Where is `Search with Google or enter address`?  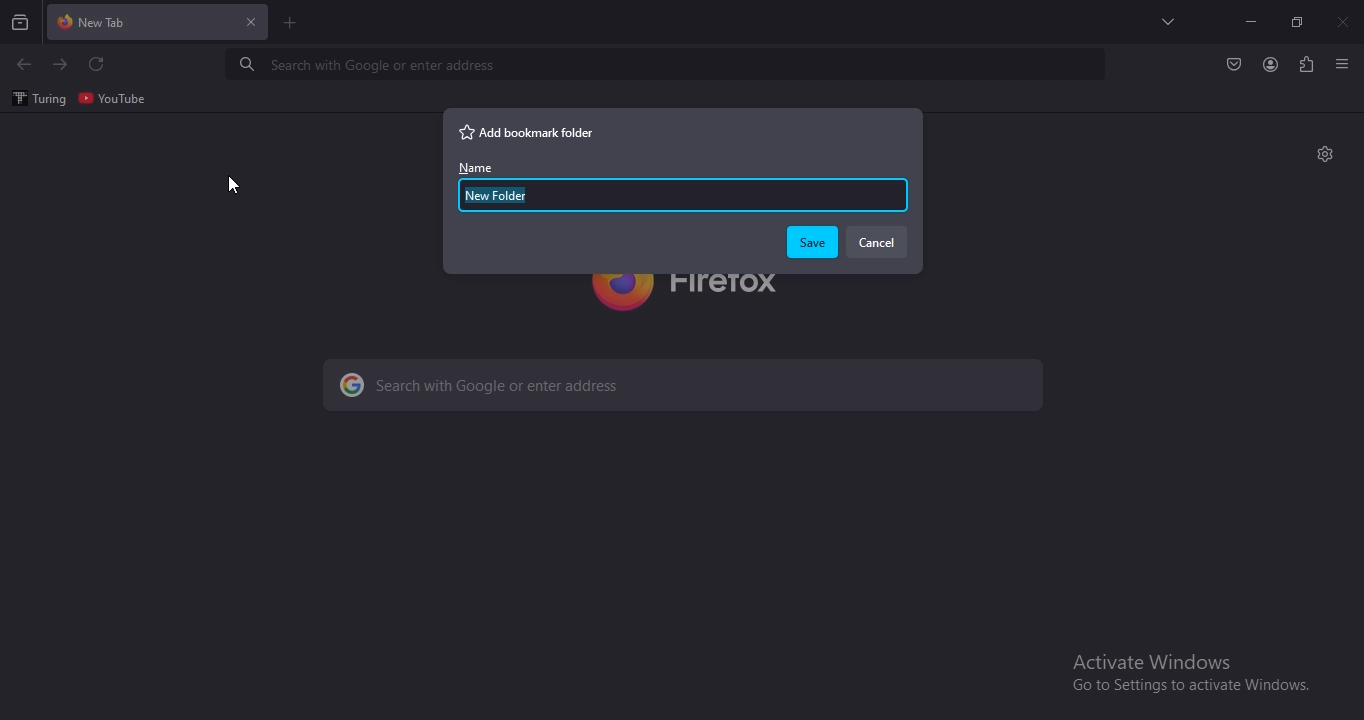 Search with Google or enter address is located at coordinates (365, 66).